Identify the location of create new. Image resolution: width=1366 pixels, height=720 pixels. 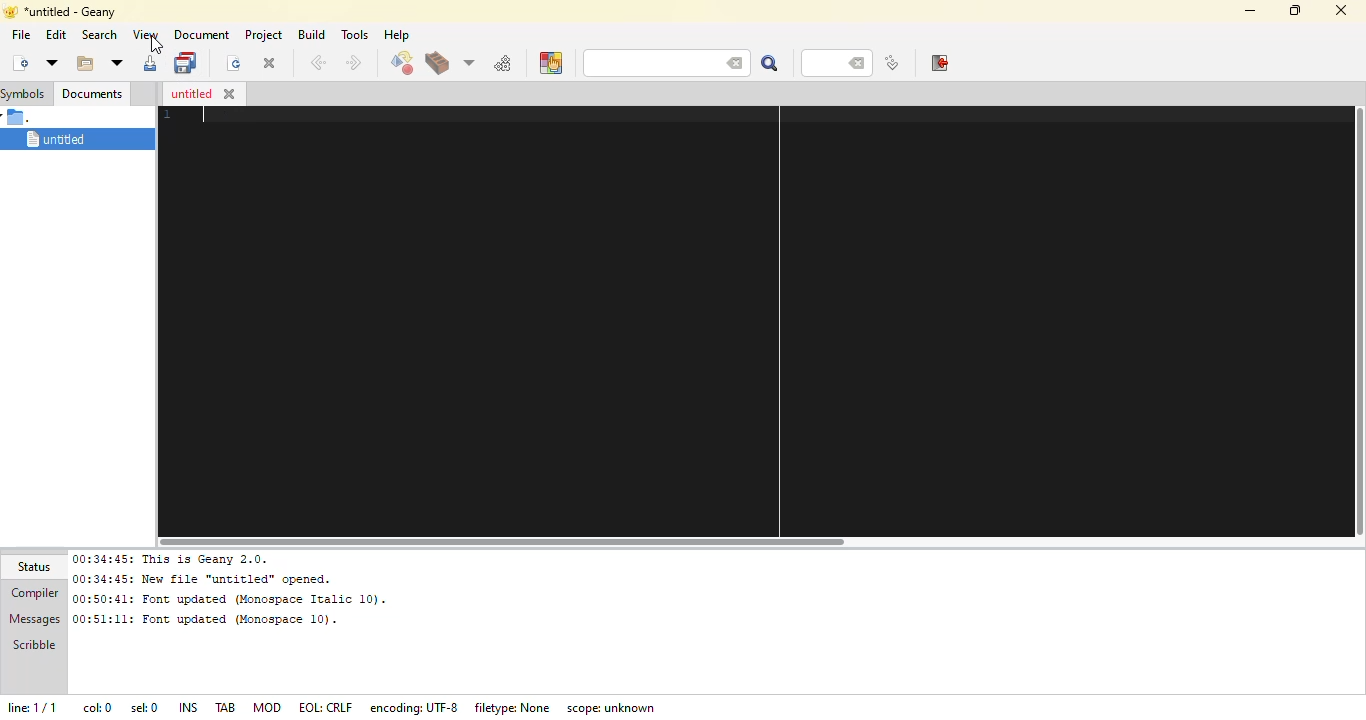
(19, 62).